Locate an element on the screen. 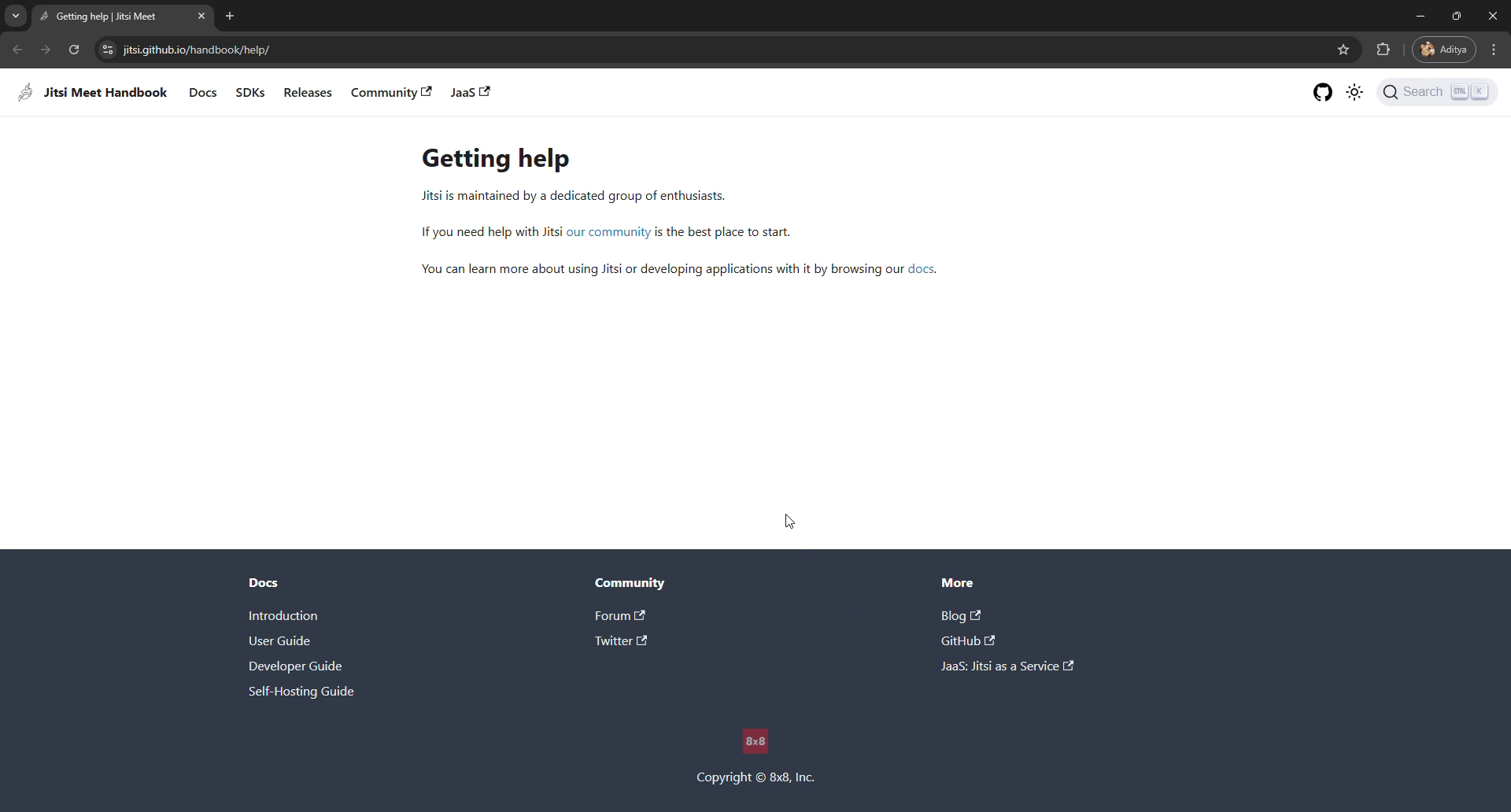 The width and height of the screenshot is (1511, 812). switch theme is located at coordinates (1355, 94).